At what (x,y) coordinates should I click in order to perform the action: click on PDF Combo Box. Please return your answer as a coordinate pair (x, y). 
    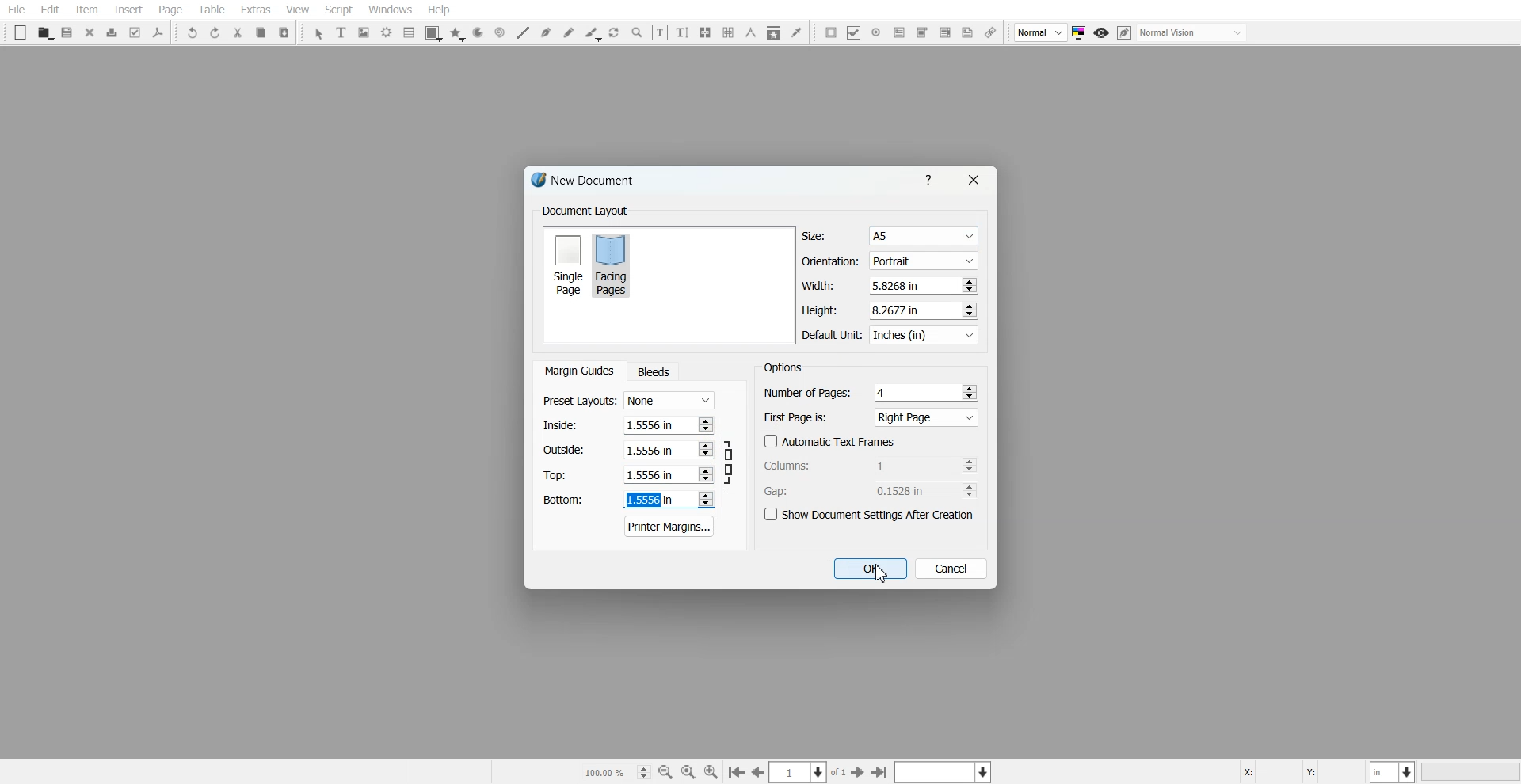
    Looking at the image, I should click on (921, 32).